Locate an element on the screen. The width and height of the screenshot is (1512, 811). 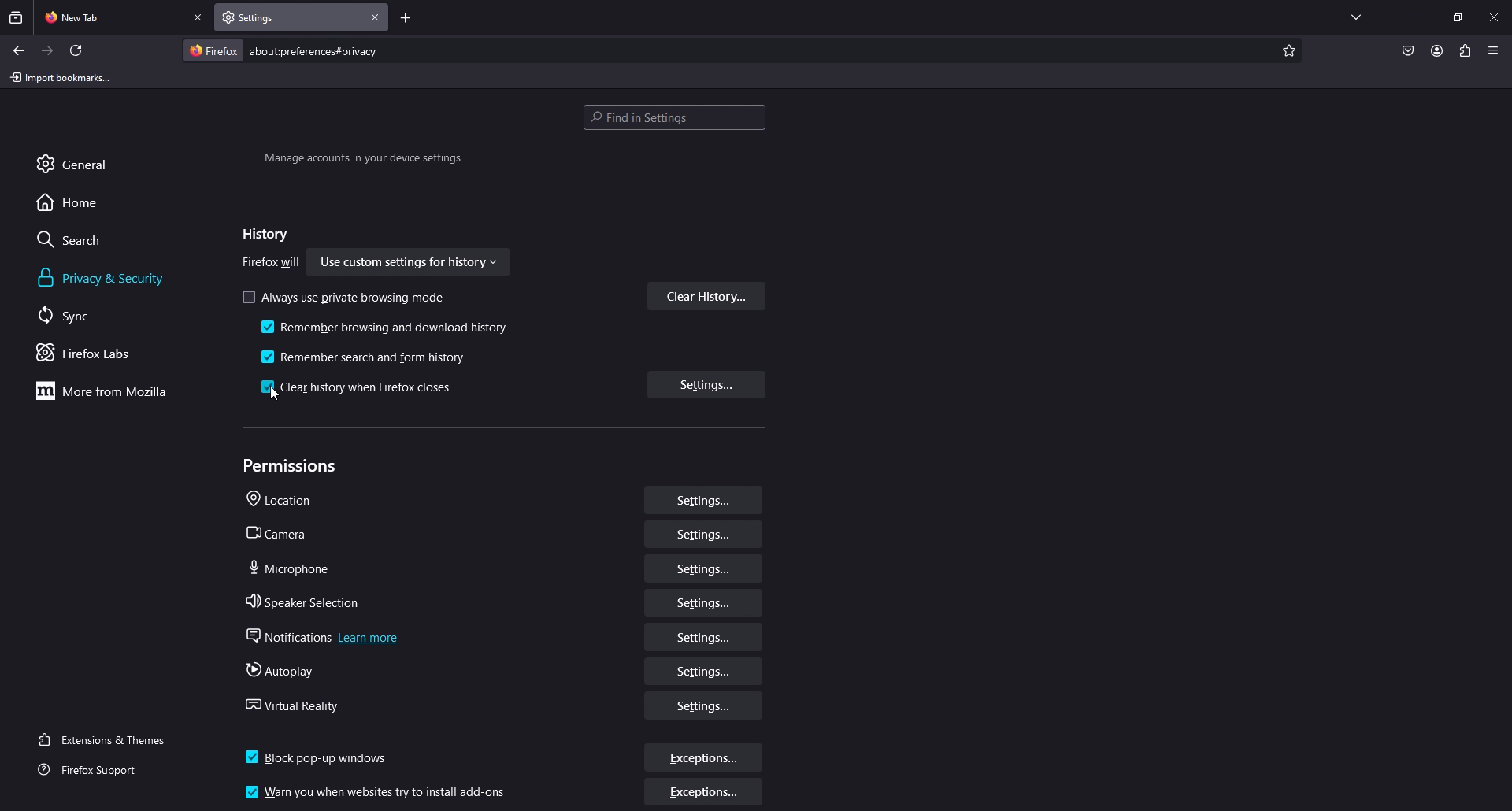
search bar: about preferences#privacy is located at coordinates (312, 50).